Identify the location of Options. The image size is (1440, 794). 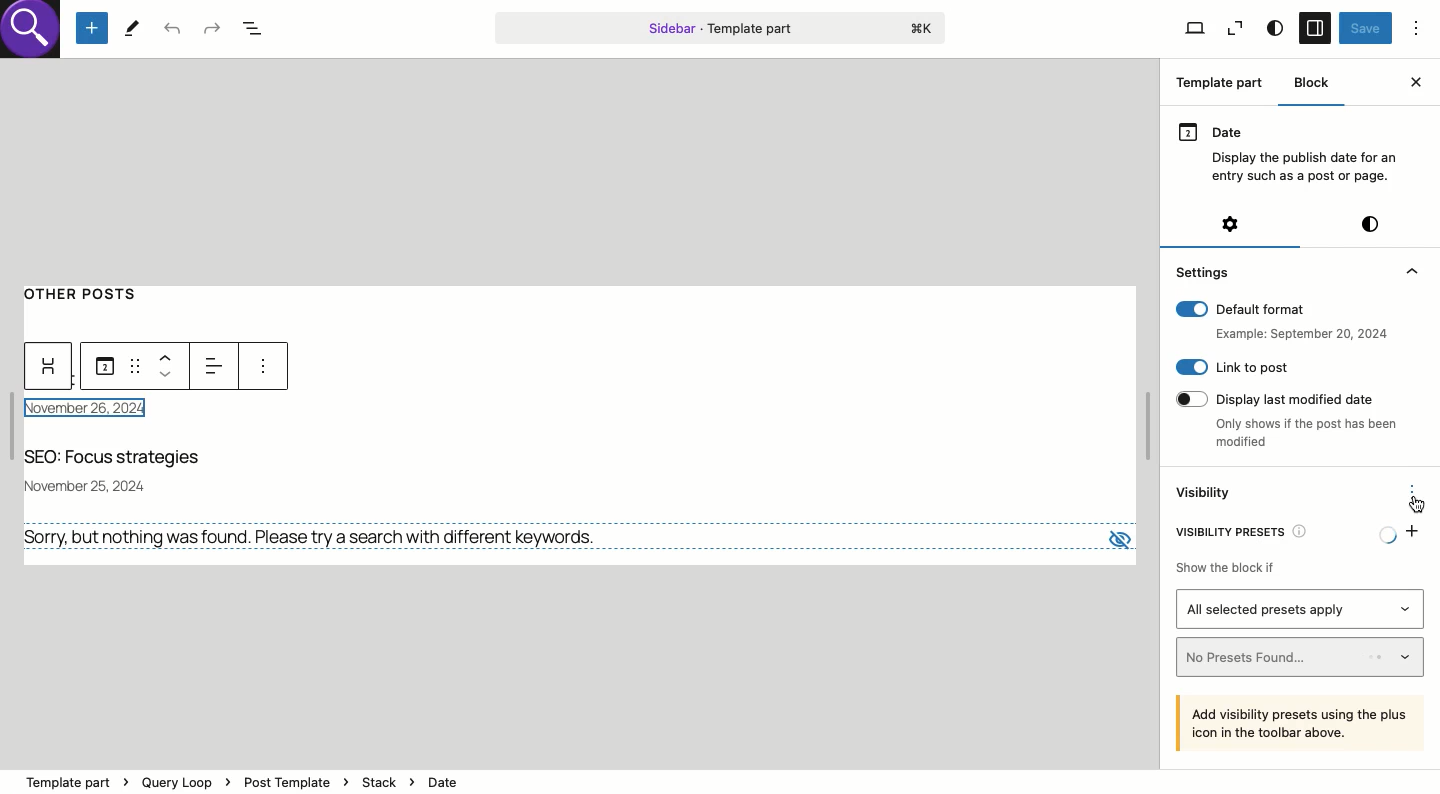
(1413, 490).